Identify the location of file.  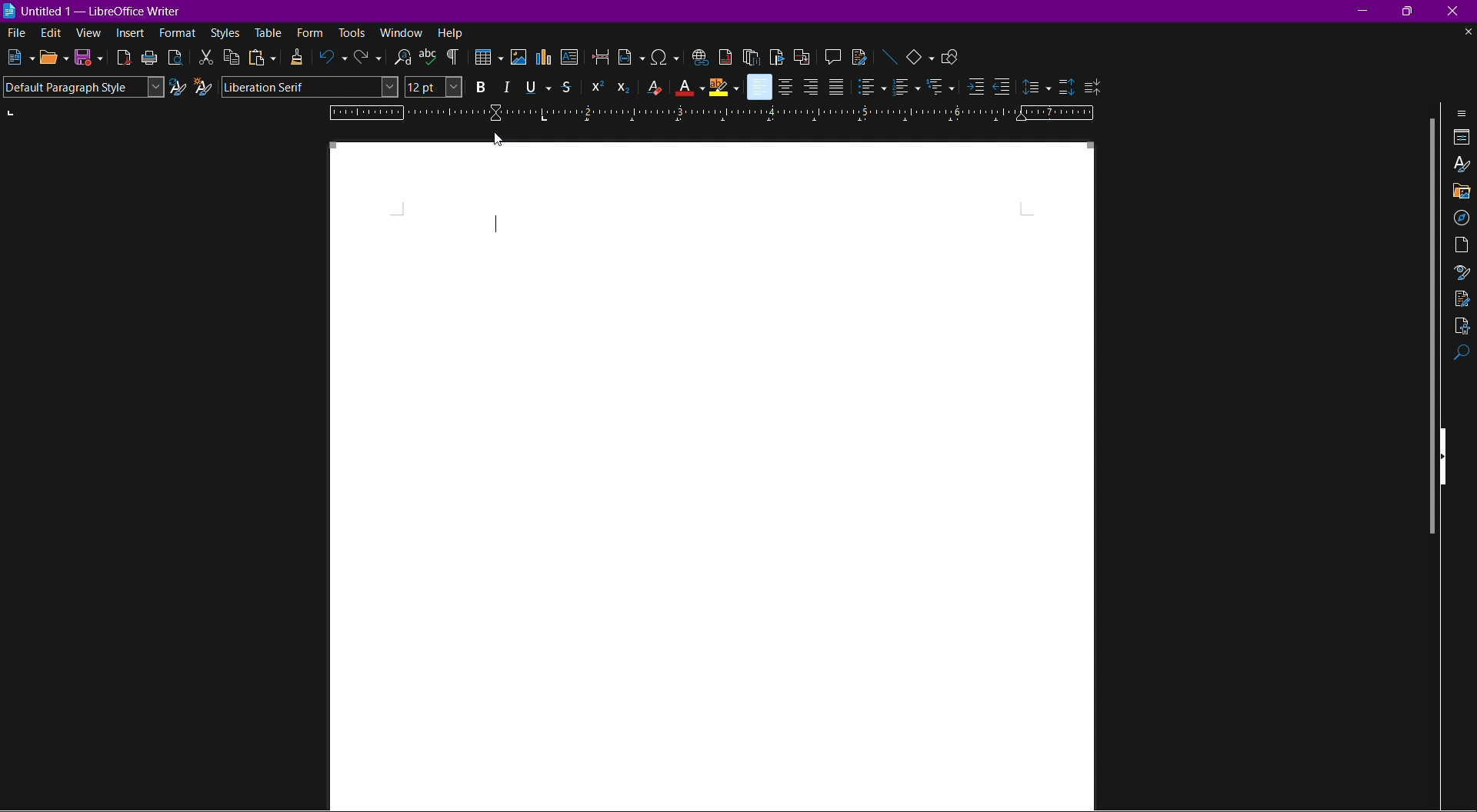
(13, 32).